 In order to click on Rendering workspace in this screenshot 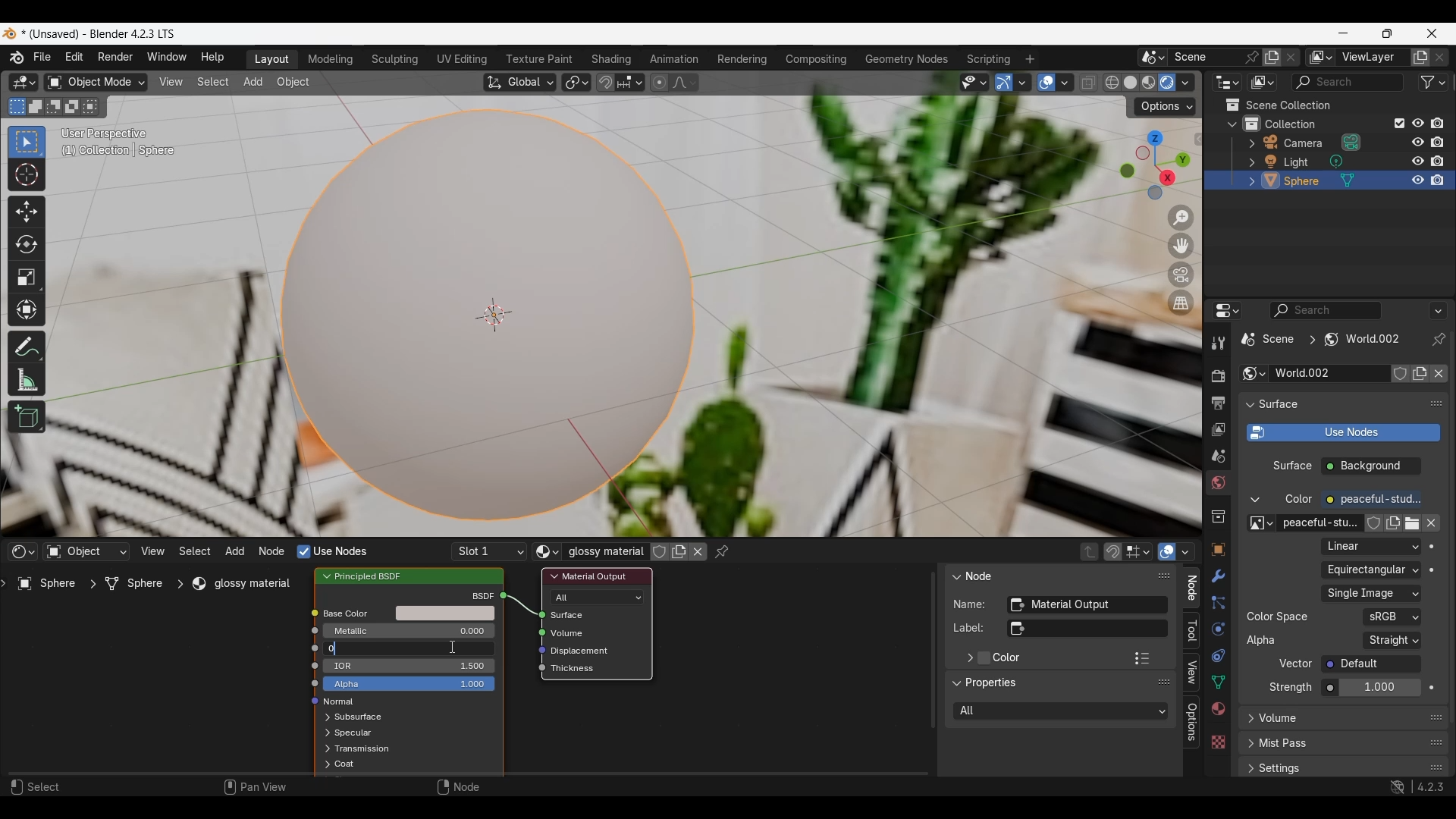, I will do `click(742, 59)`.